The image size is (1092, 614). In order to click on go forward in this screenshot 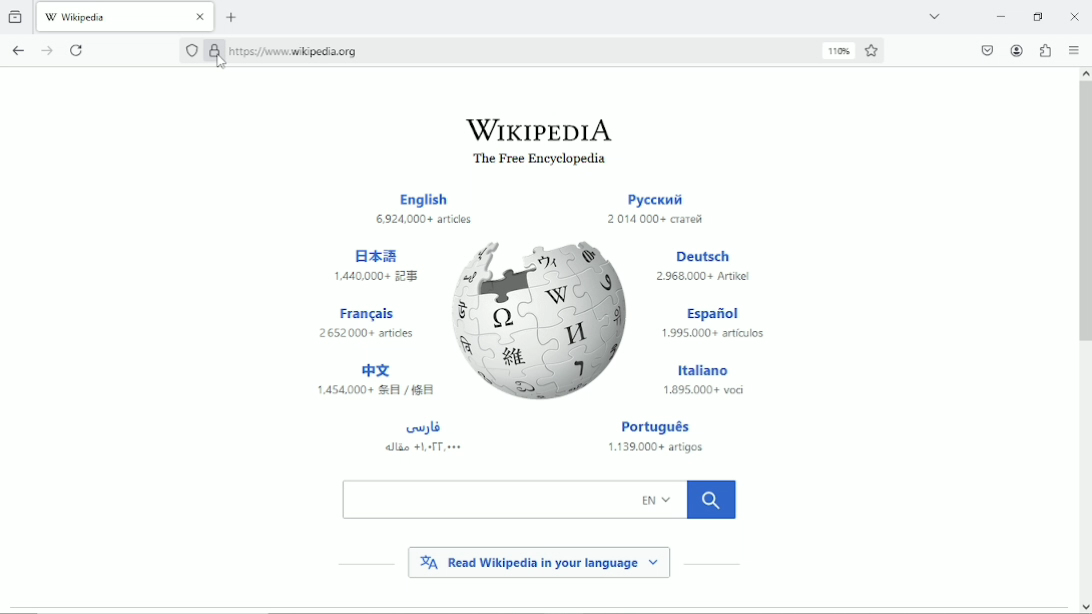, I will do `click(48, 50)`.